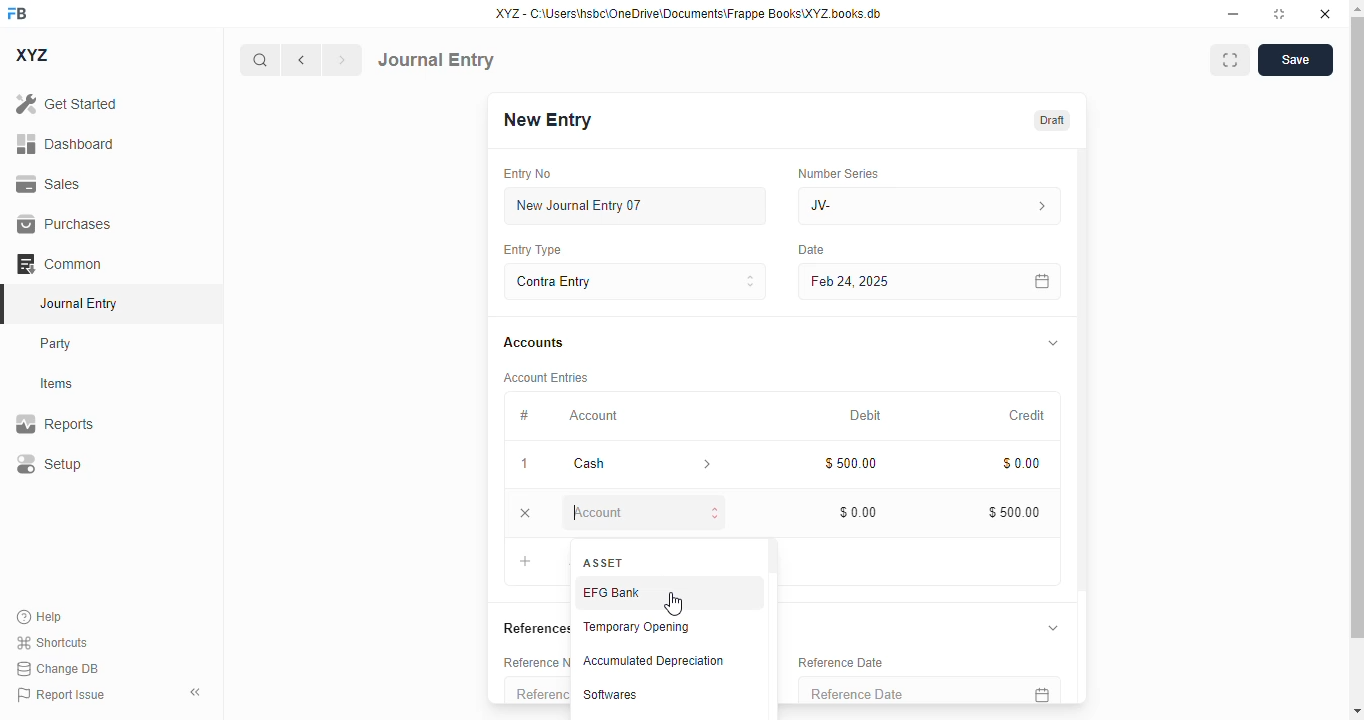 Image resolution: width=1364 pixels, height=720 pixels. Describe the element at coordinates (840, 662) in the screenshot. I see `reference date` at that location.